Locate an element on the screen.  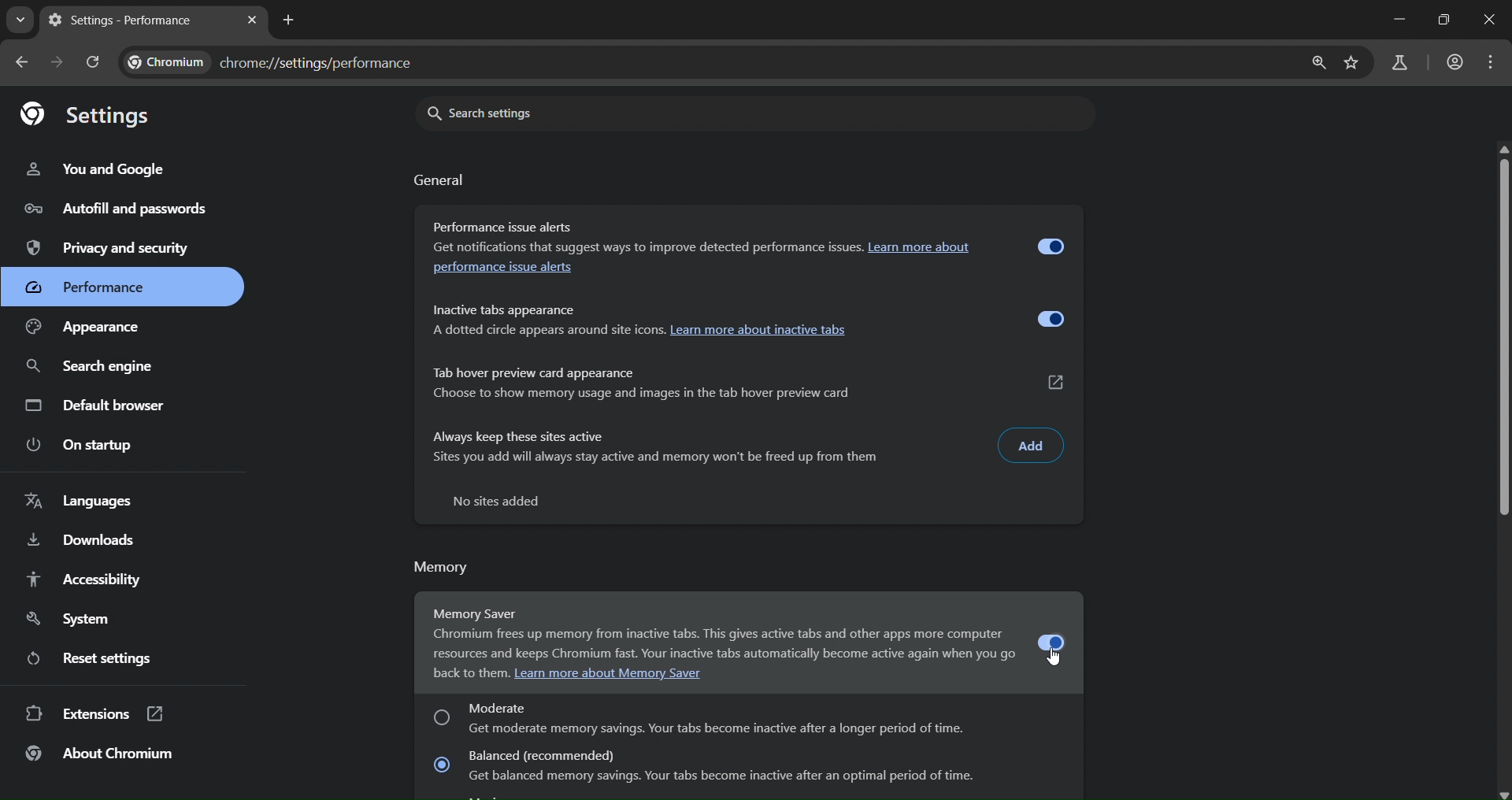
reload page is located at coordinates (94, 64).